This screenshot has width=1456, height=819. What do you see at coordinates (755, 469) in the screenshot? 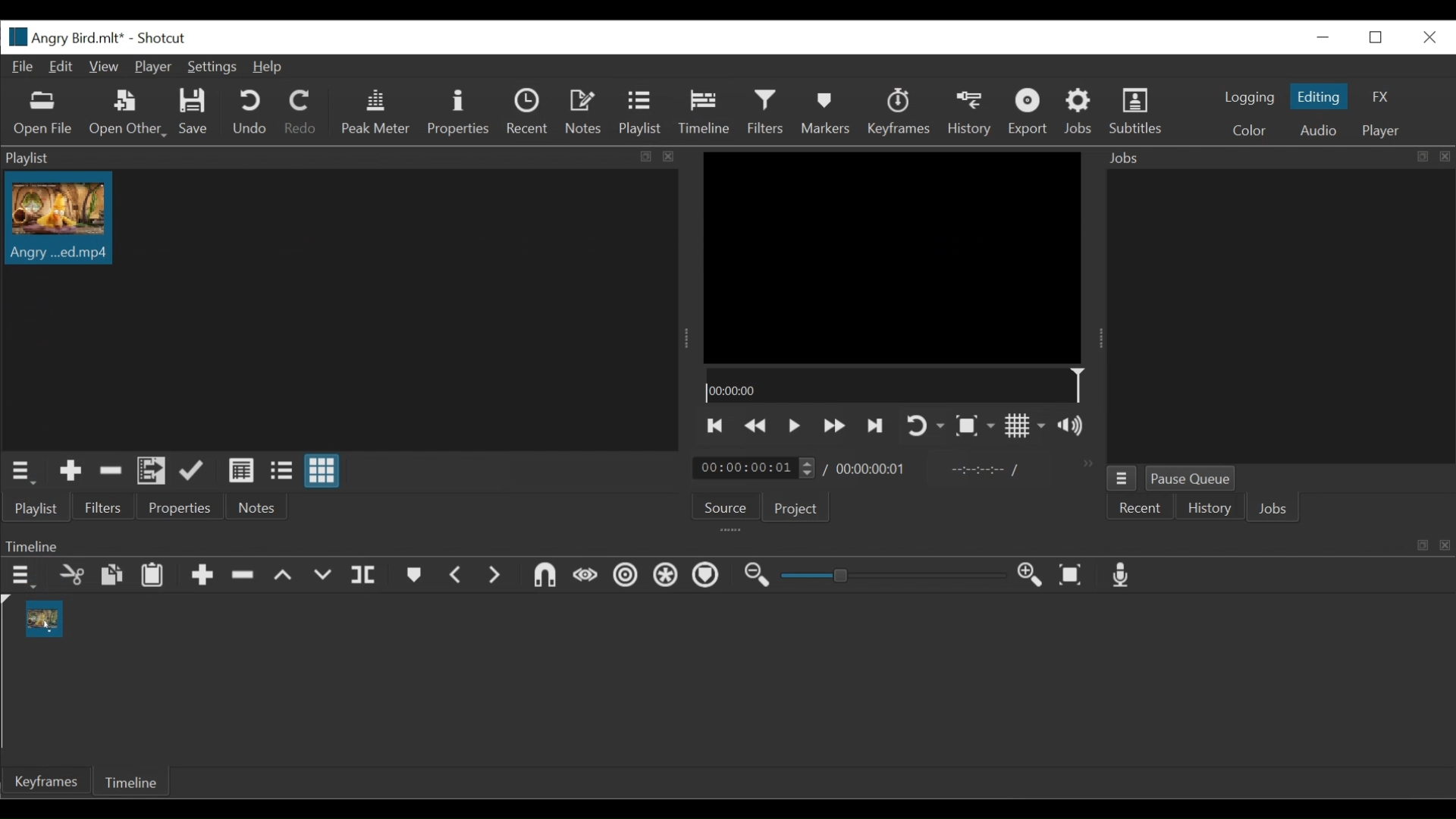
I see `Current duration` at bounding box center [755, 469].